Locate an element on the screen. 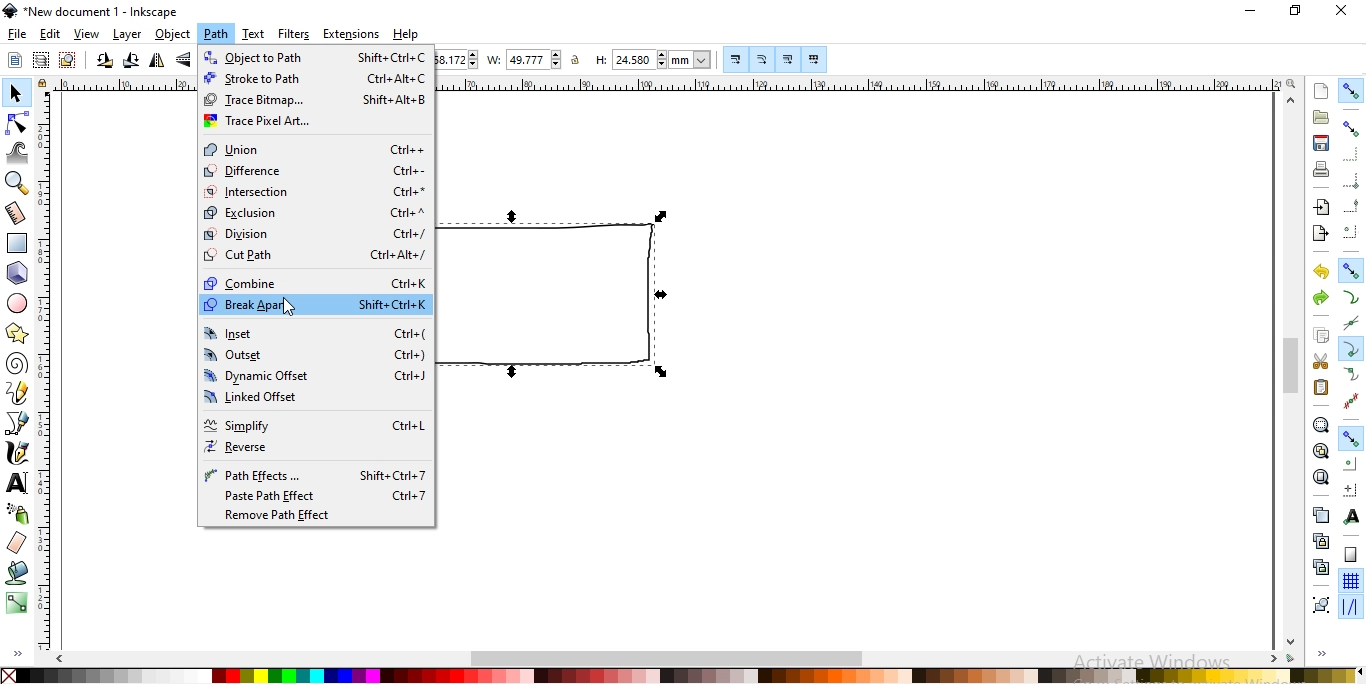 The height and width of the screenshot is (684, 1366). difference is located at coordinates (309, 171).